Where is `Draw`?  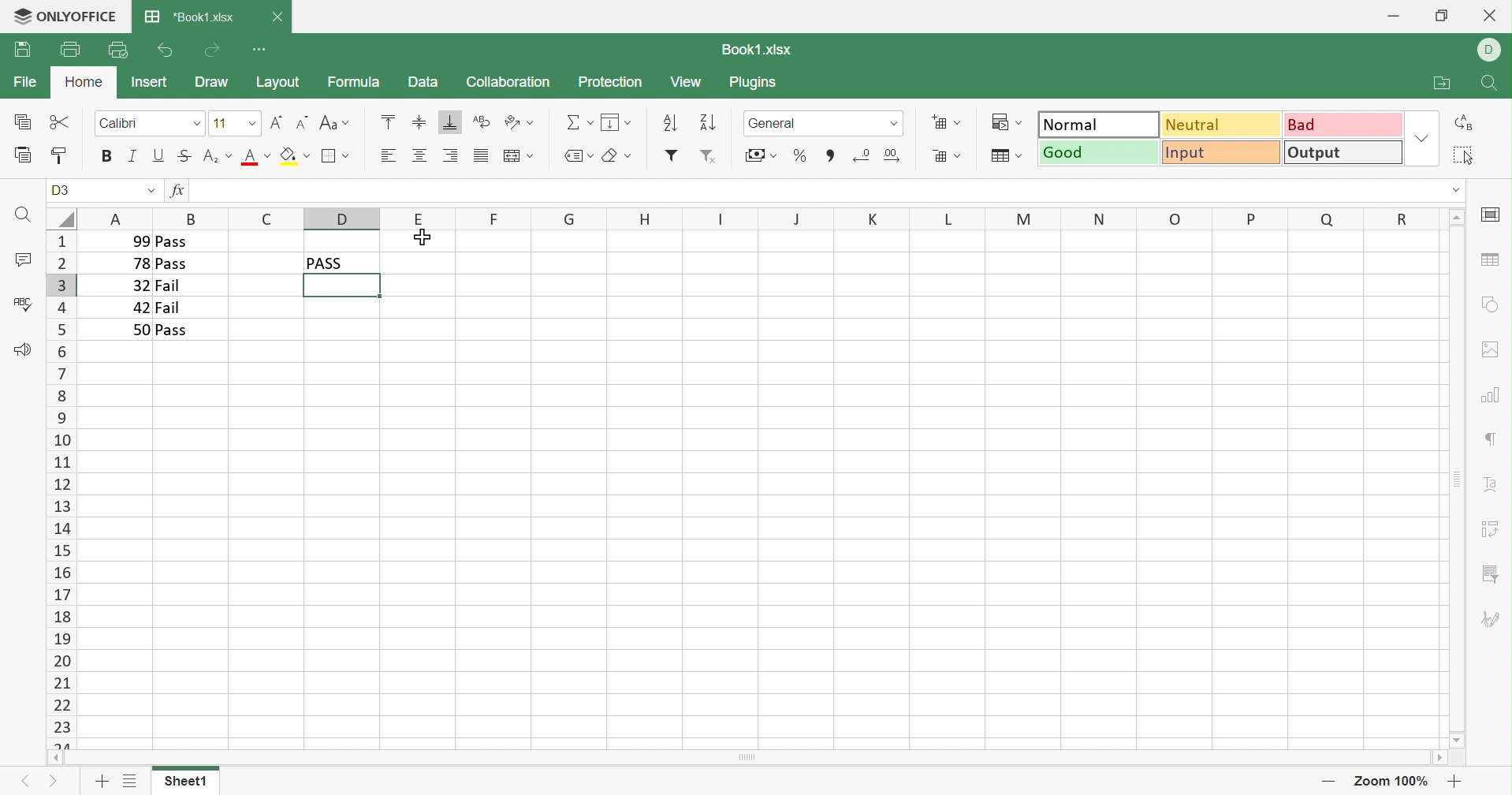 Draw is located at coordinates (210, 82).